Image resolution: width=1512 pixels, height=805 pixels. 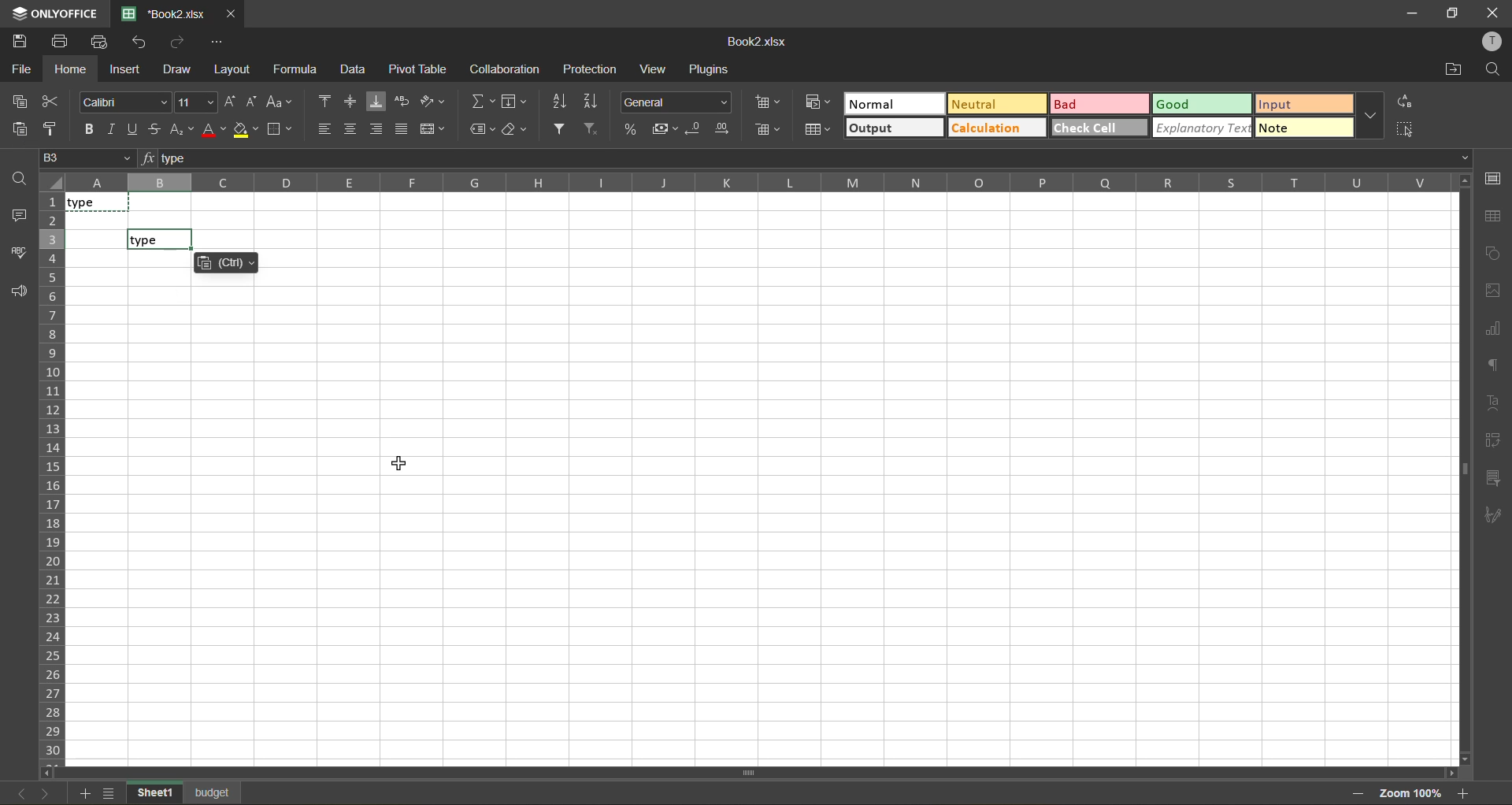 What do you see at coordinates (86, 128) in the screenshot?
I see `bold` at bounding box center [86, 128].